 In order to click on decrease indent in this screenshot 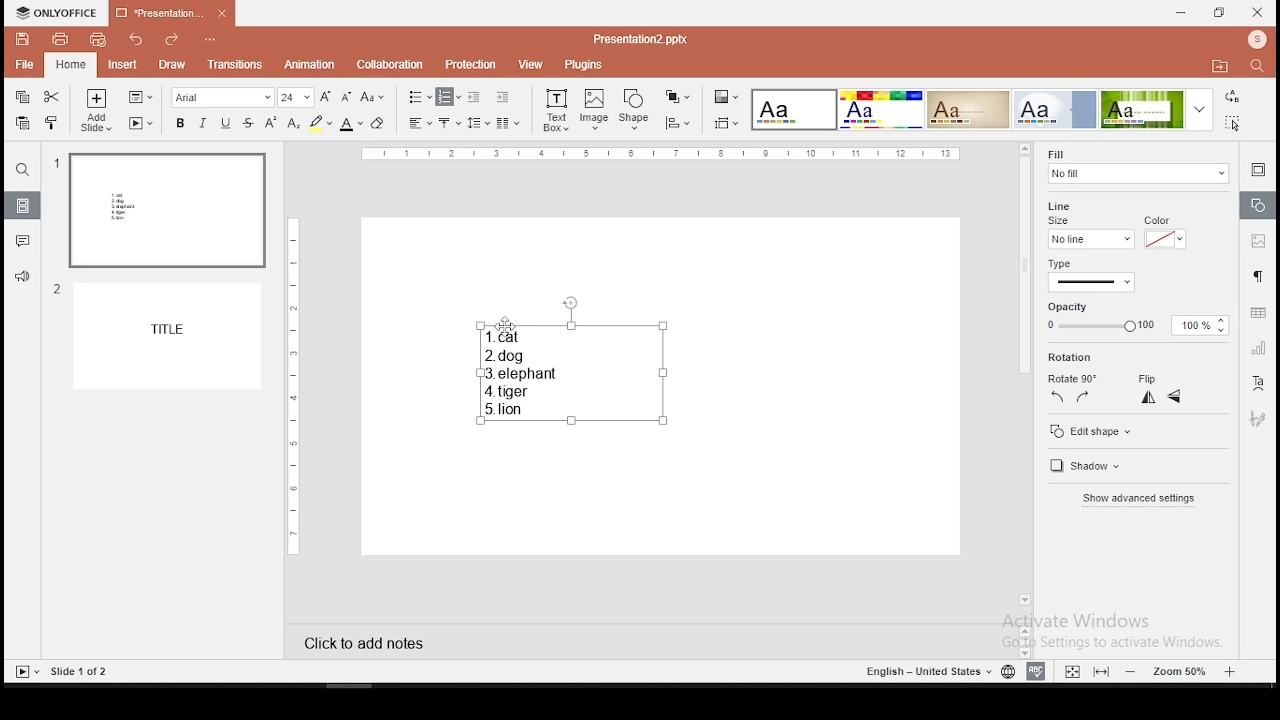, I will do `click(476, 96)`.